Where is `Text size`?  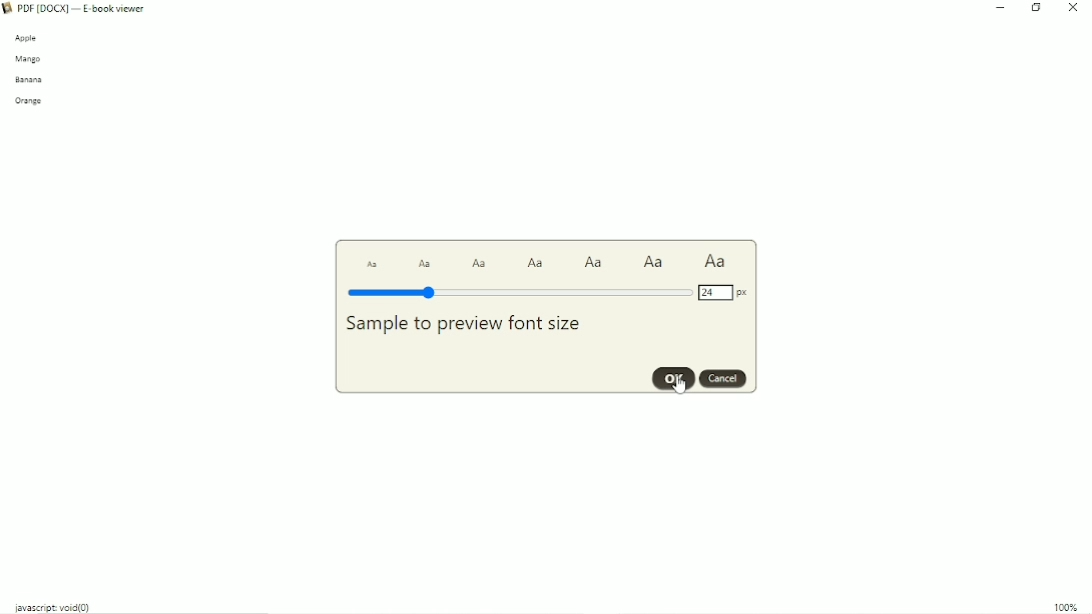
Text size is located at coordinates (372, 264).